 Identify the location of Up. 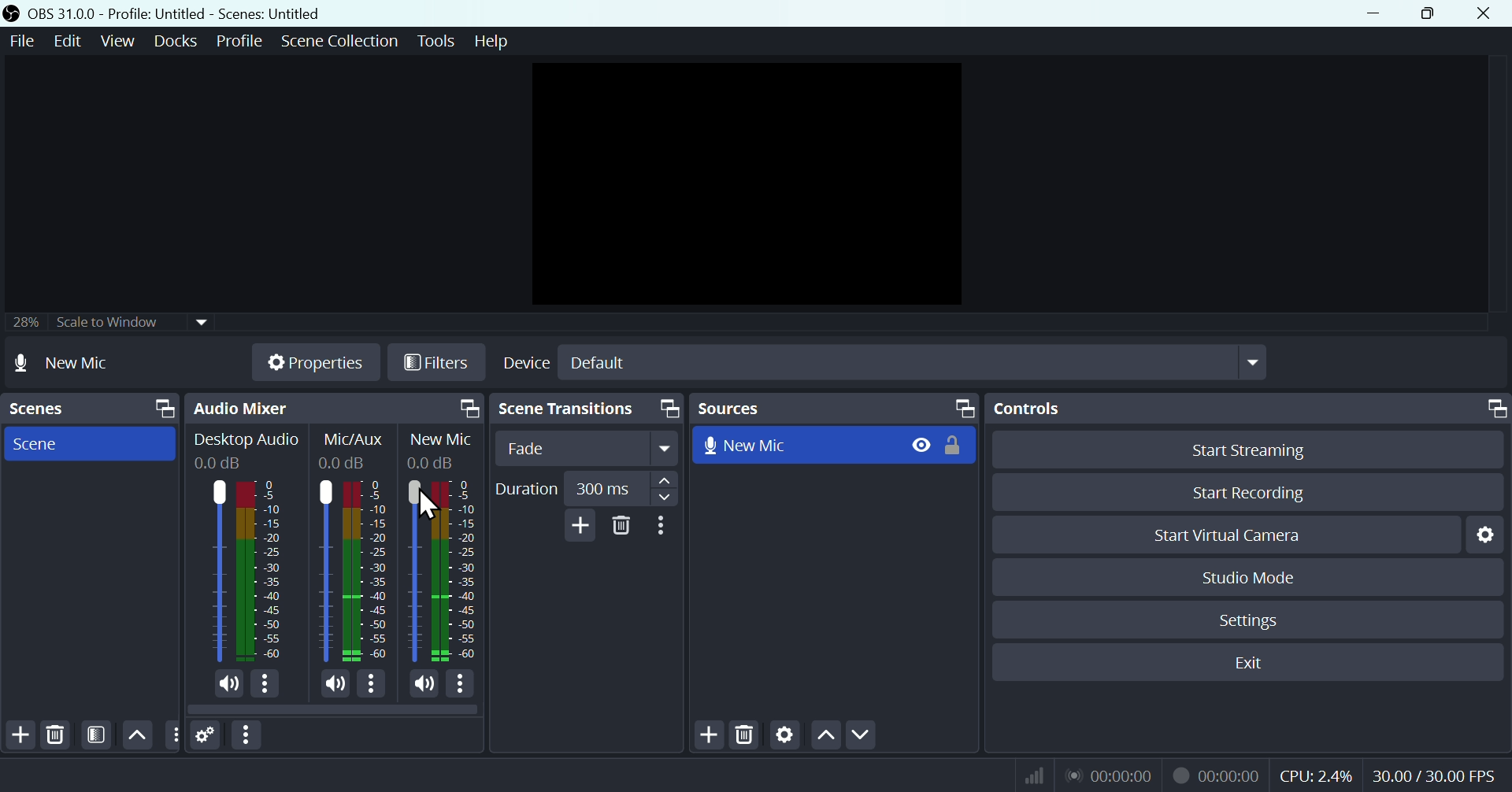
(135, 735).